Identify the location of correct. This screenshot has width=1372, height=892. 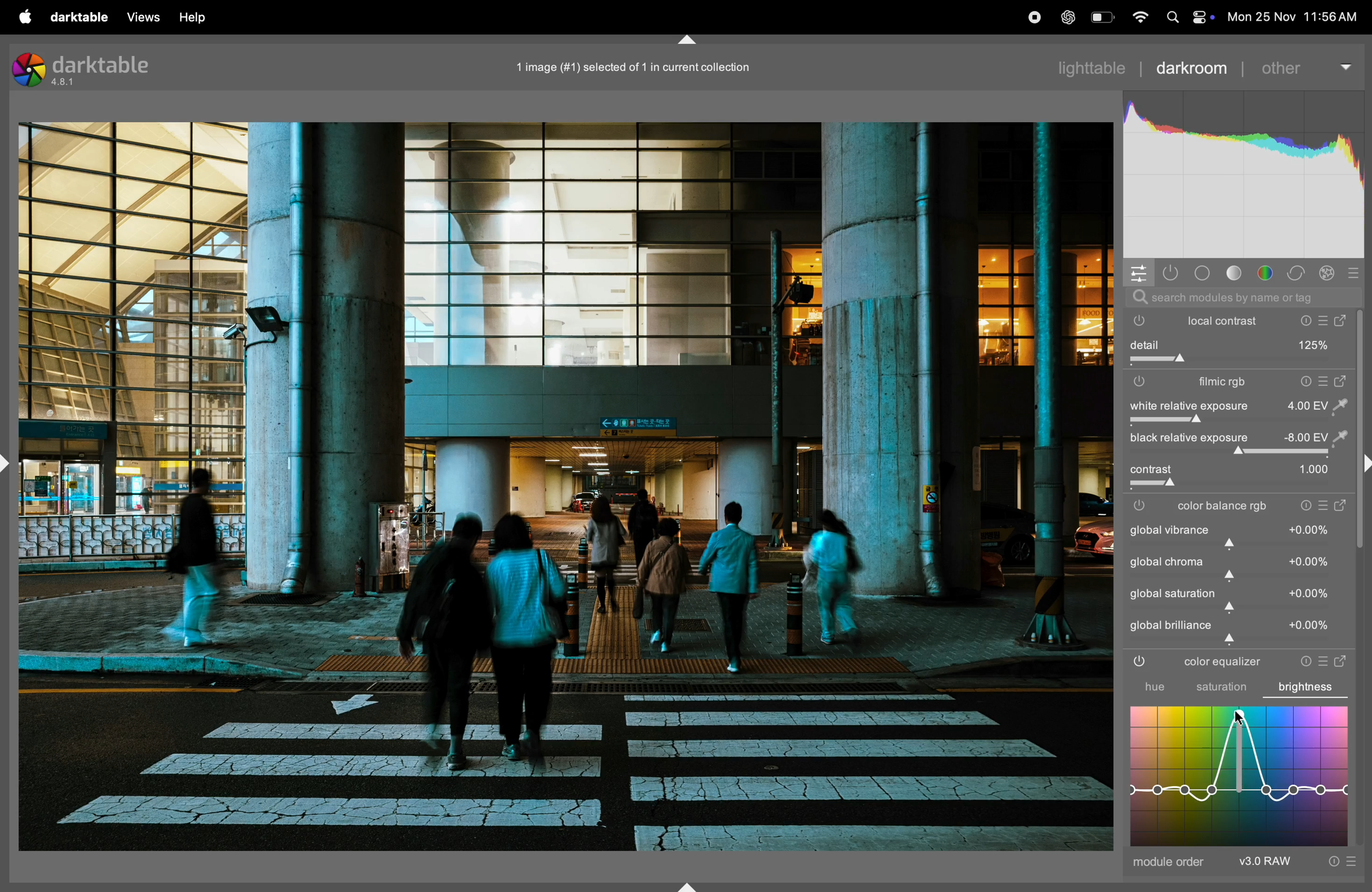
(1299, 271).